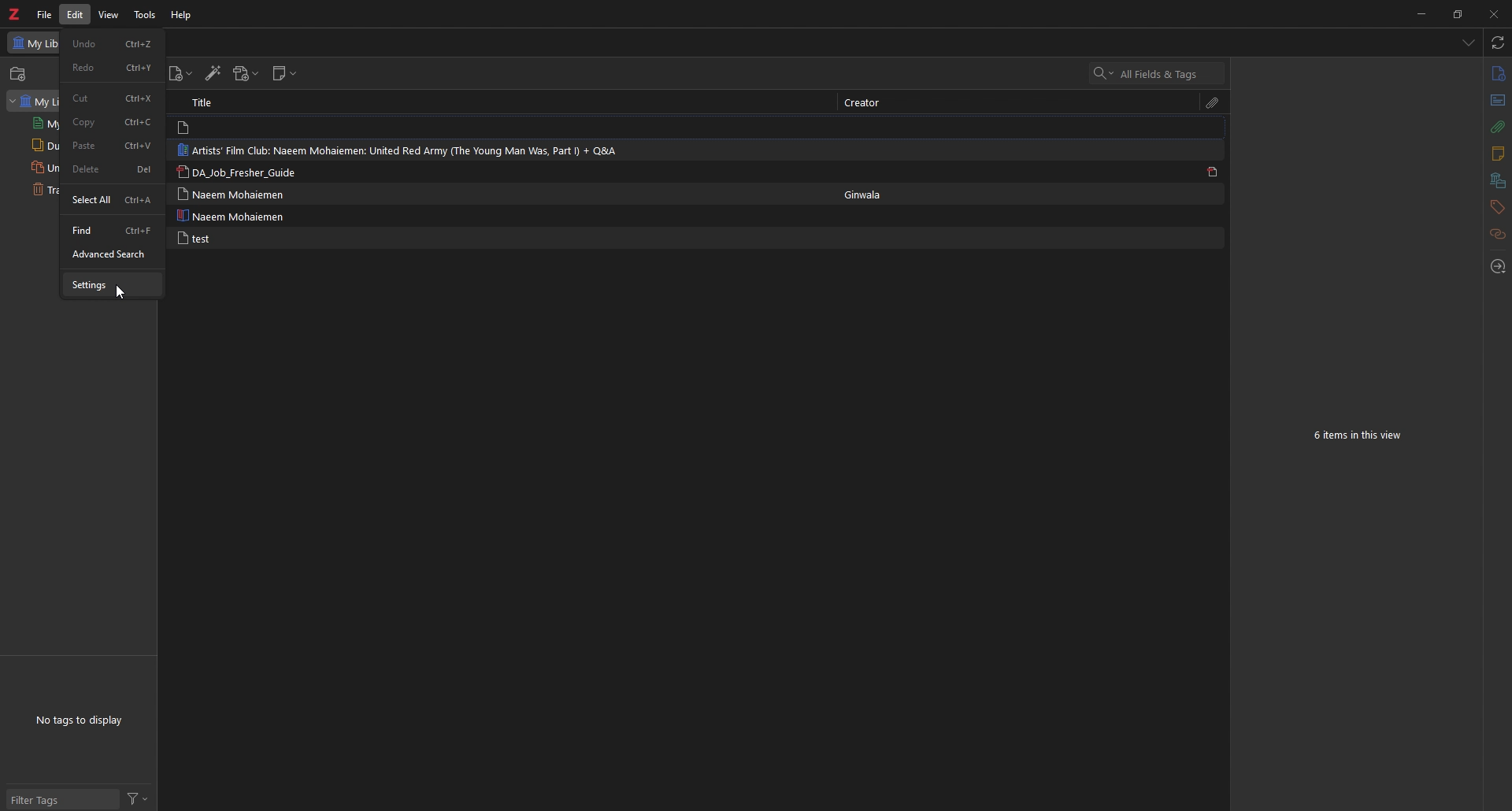  Describe the element at coordinates (1497, 181) in the screenshot. I see `libraries and collection` at that location.